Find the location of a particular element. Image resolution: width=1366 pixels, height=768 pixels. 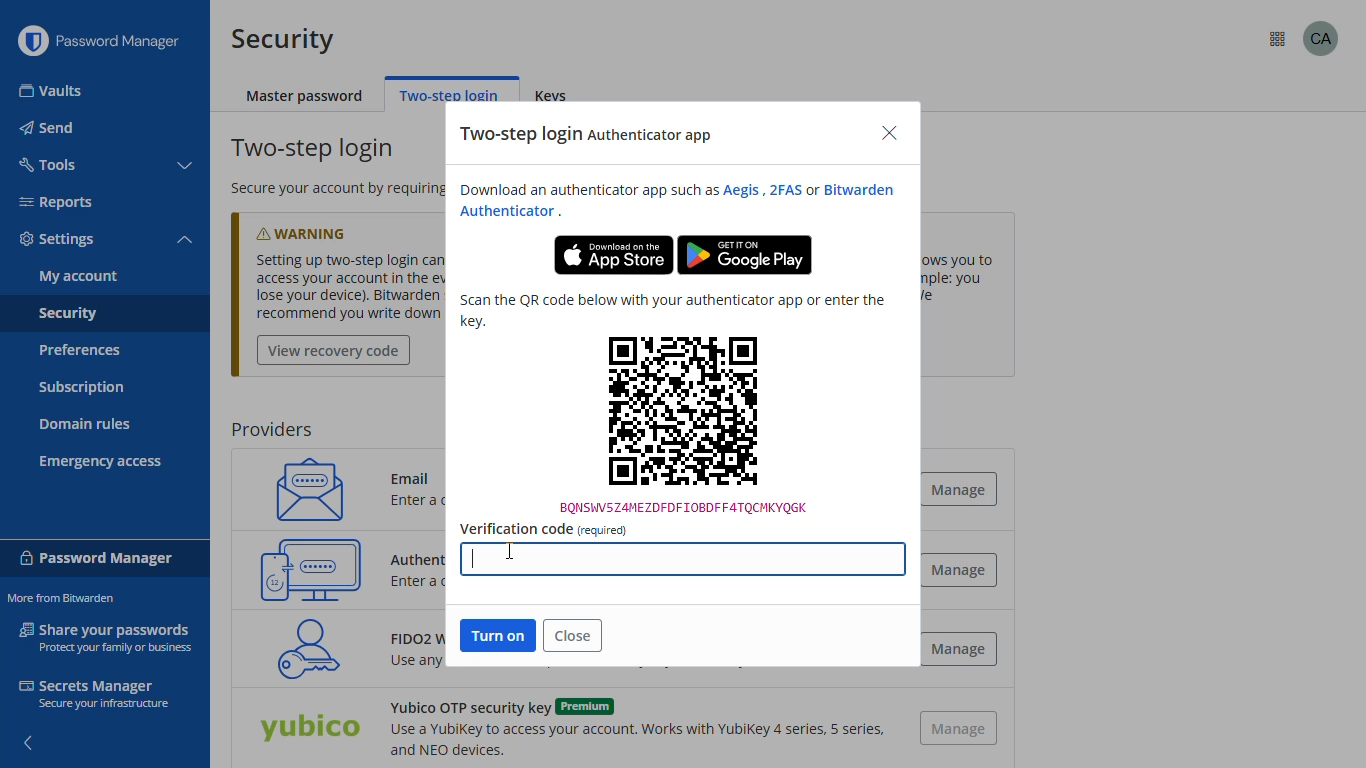

authenticator app is located at coordinates (311, 569).